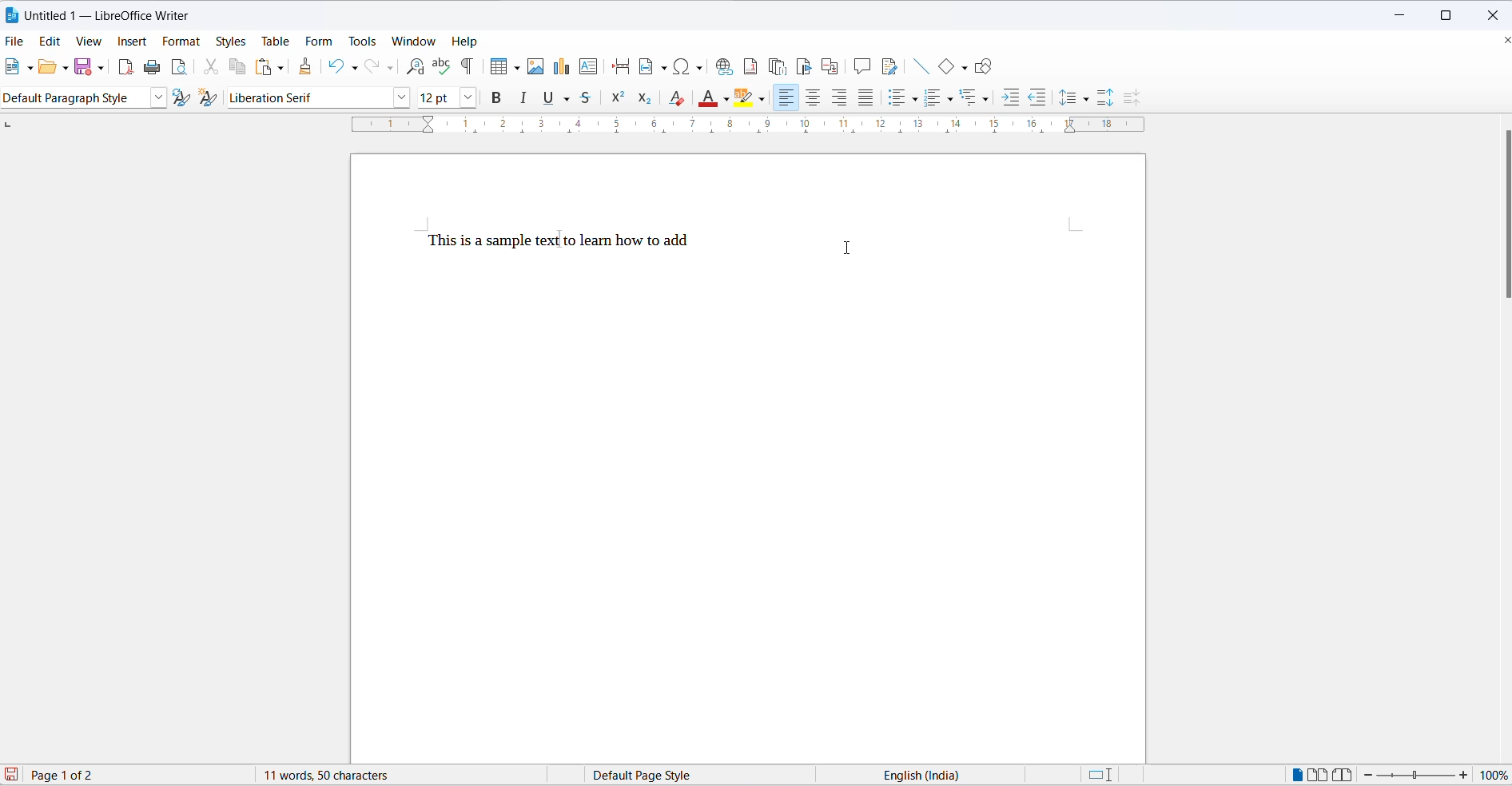  Describe the element at coordinates (307, 98) in the screenshot. I see `font name` at that location.